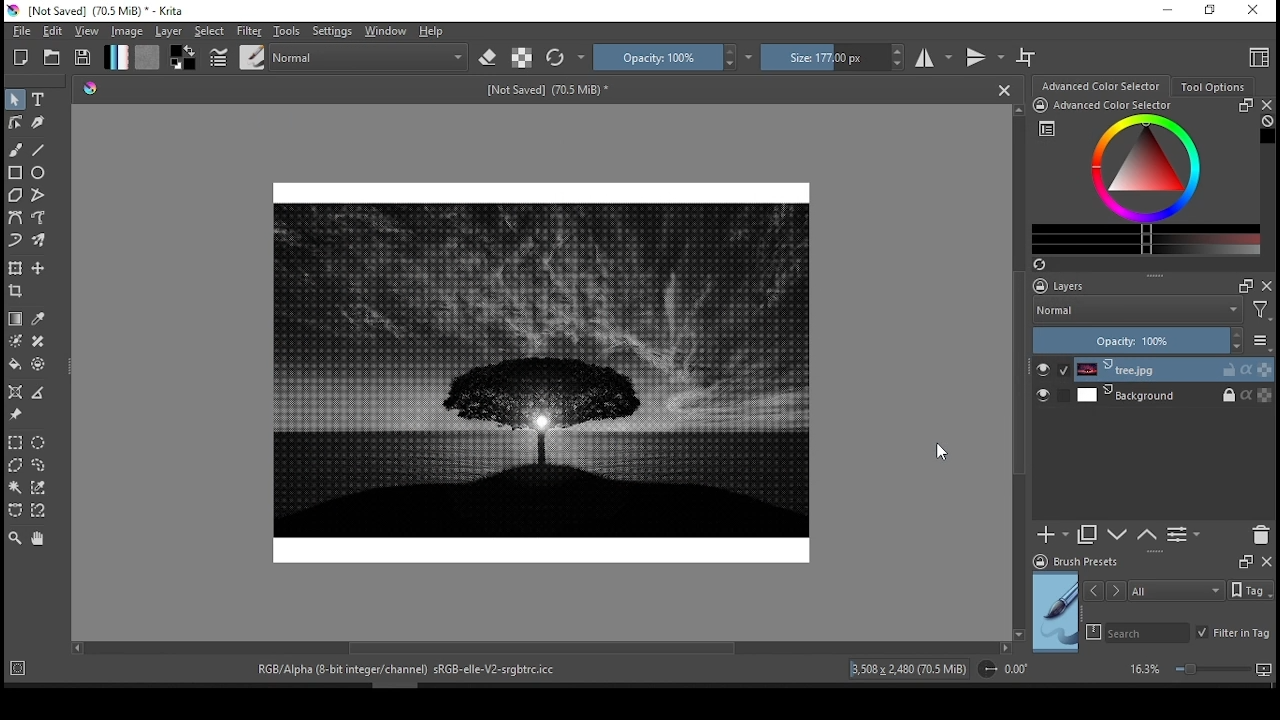 The height and width of the screenshot is (720, 1280). Describe the element at coordinates (15, 318) in the screenshot. I see `draw a gradient` at that location.